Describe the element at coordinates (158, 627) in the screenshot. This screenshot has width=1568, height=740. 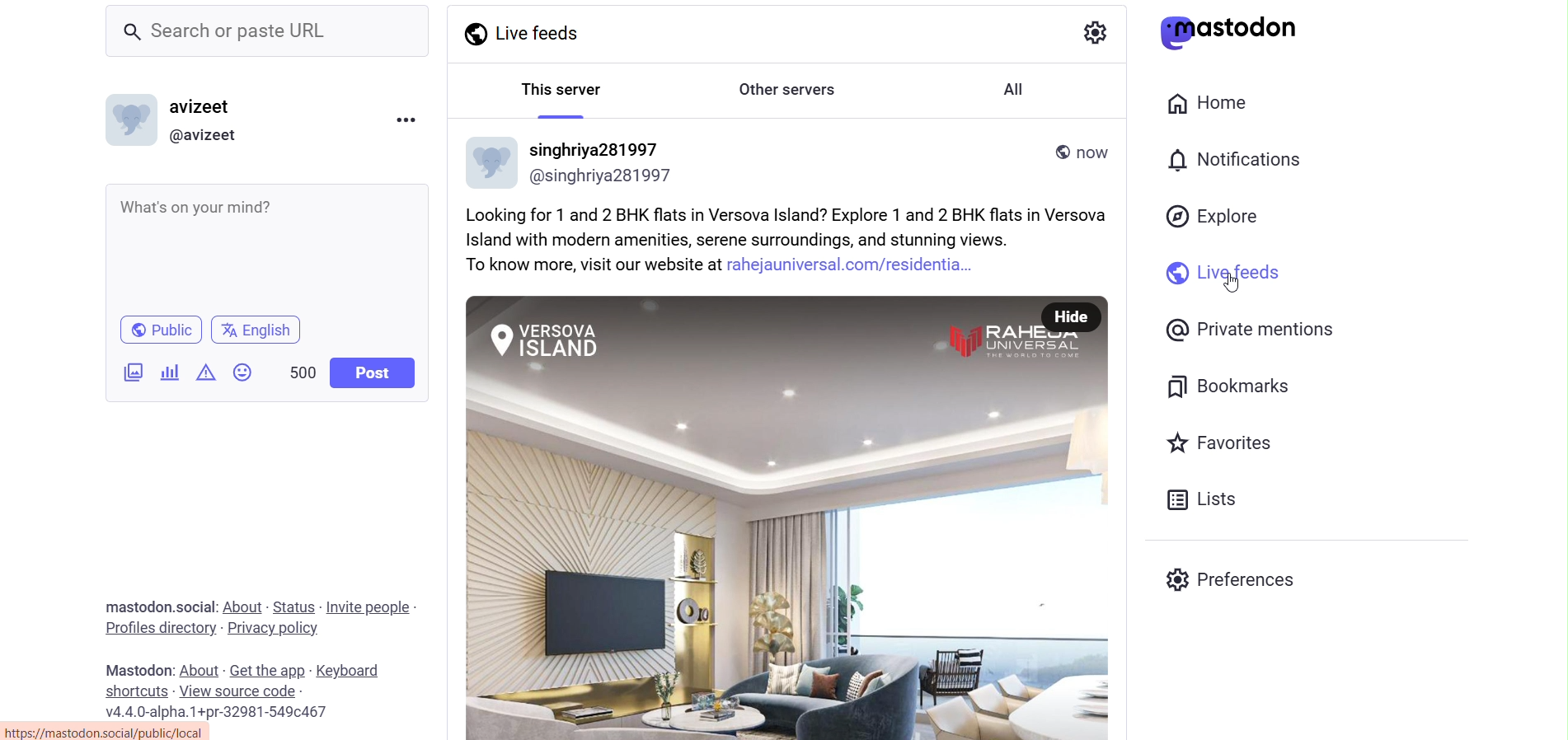
I see `profiles` at that location.